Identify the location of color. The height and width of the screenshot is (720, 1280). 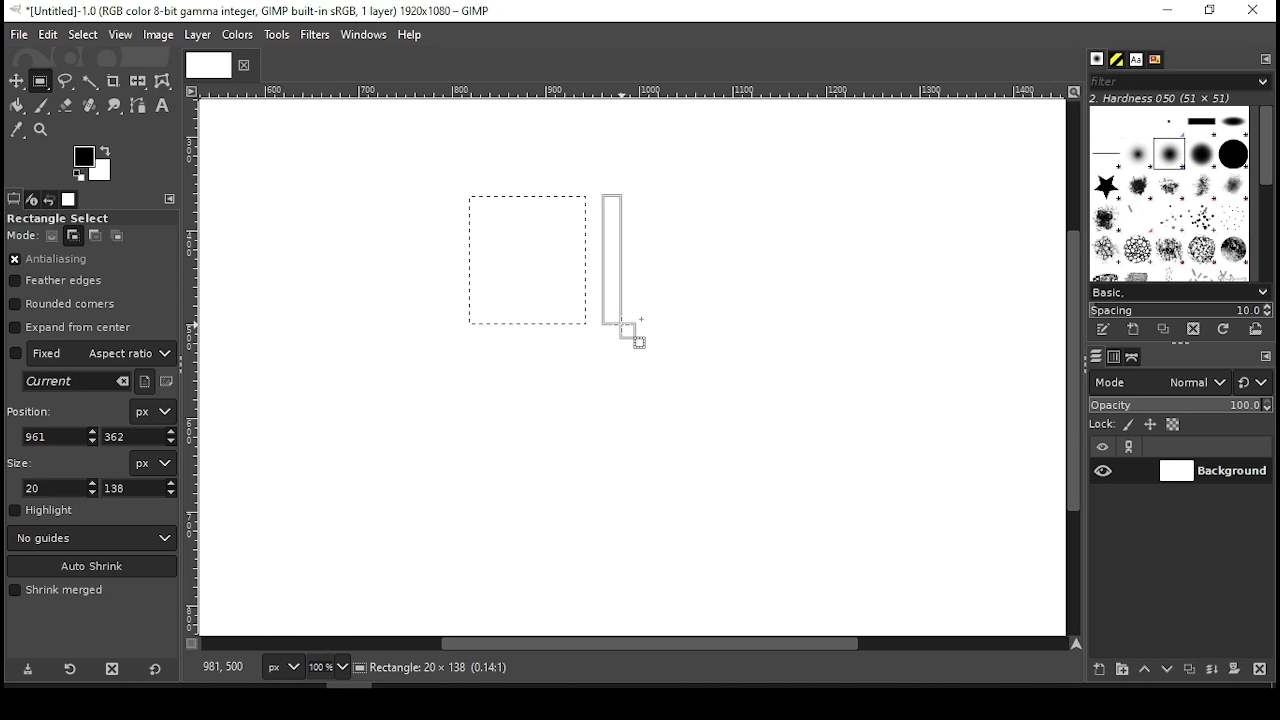
(238, 34).